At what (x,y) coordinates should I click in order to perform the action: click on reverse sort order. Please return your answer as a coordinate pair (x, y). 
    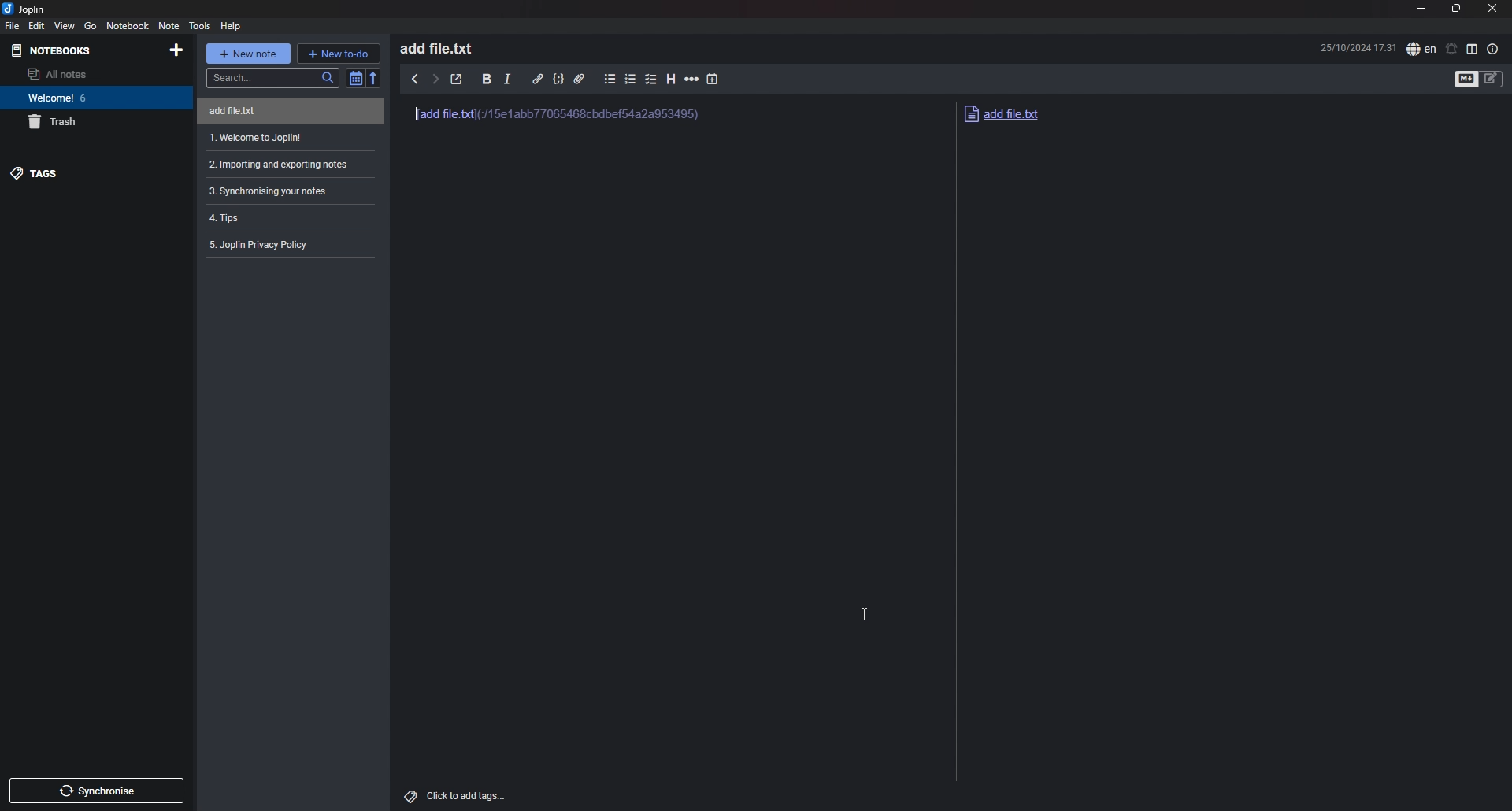
    Looking at the image, I should click on (375, 79).